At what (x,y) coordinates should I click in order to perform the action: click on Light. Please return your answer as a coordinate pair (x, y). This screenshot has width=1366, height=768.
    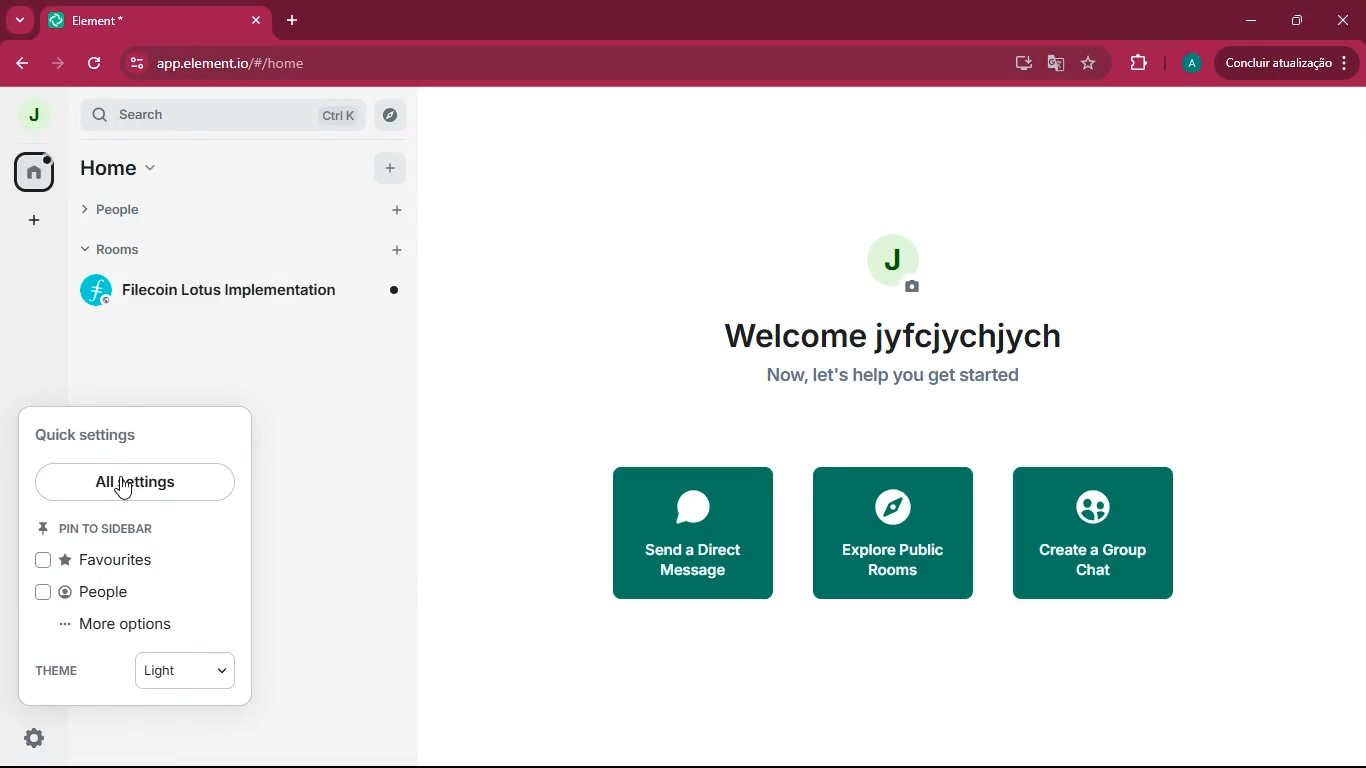
    Looking at the image, I should click on (190, 672).